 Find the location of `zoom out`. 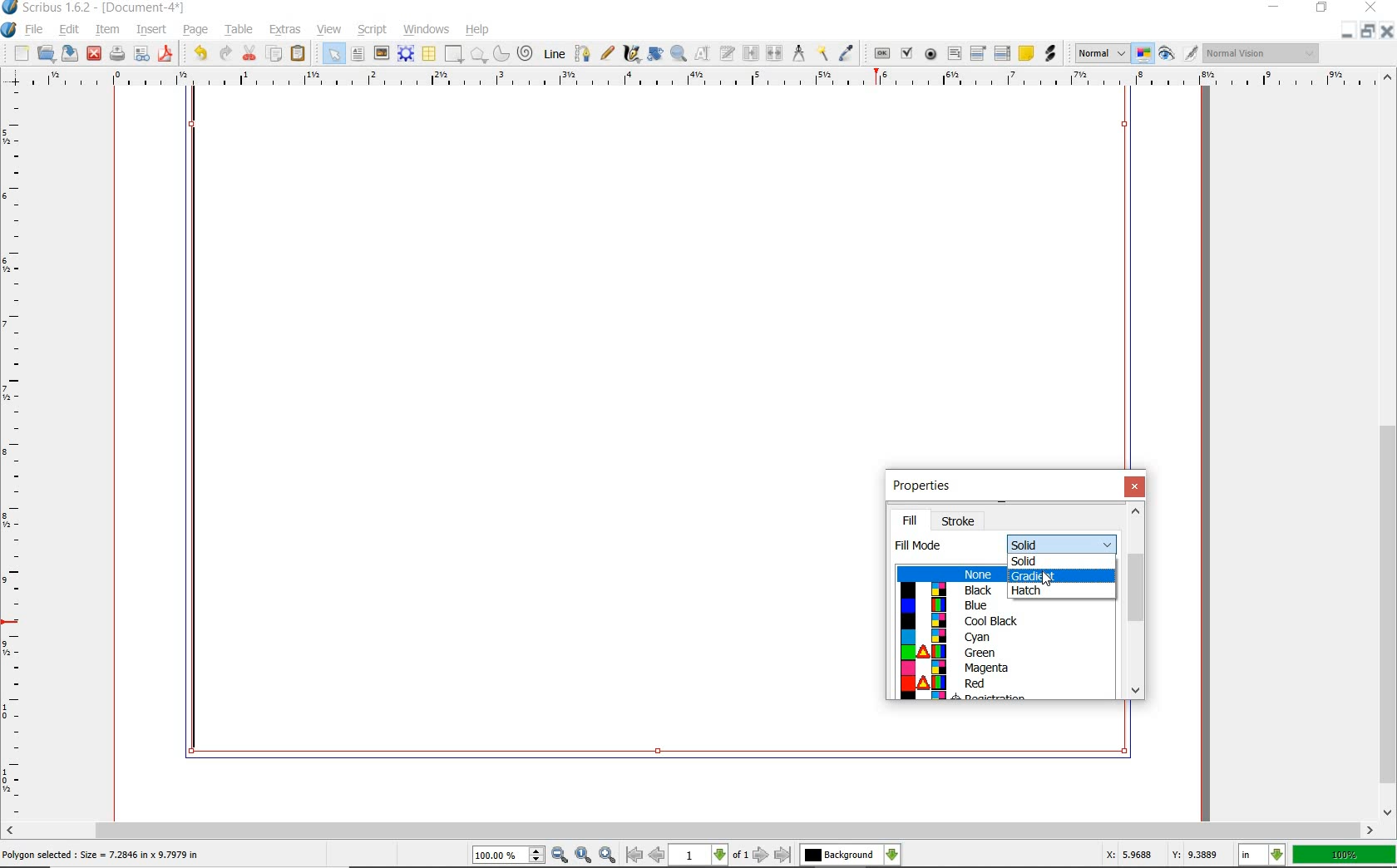

zoom out is located at coordinates (560, 856).